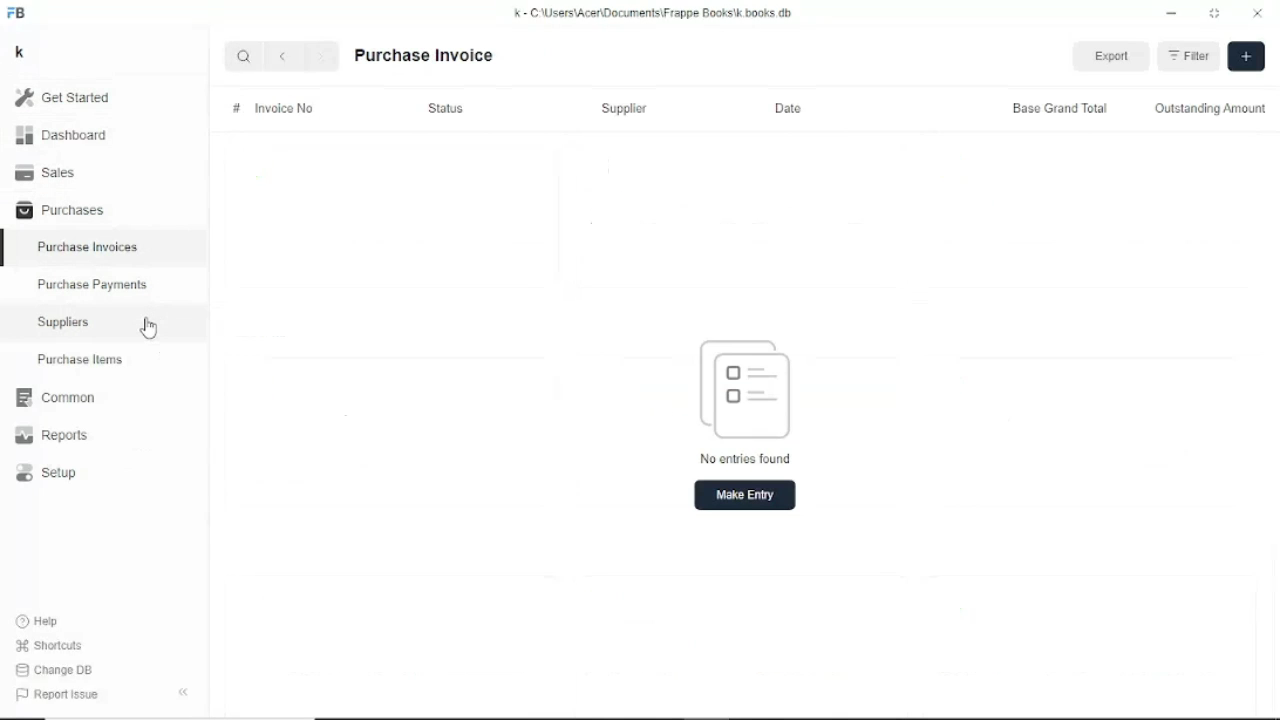 Image resolution: width=1280 pixels, height=720 pixels. Describe the element at coordinates (62, 136) in the screenshot. I see `Dashboard` at that location.